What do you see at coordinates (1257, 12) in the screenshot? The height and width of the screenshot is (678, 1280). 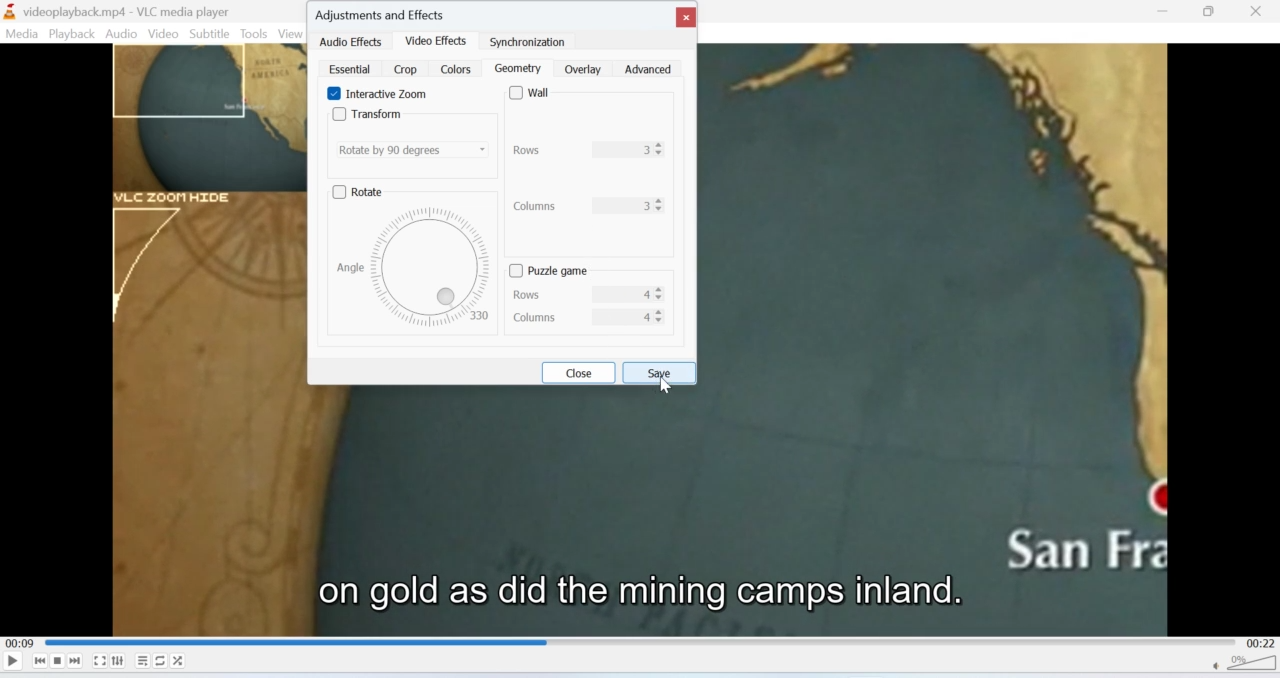 I see `Close` at bounding box center [1257, 12].